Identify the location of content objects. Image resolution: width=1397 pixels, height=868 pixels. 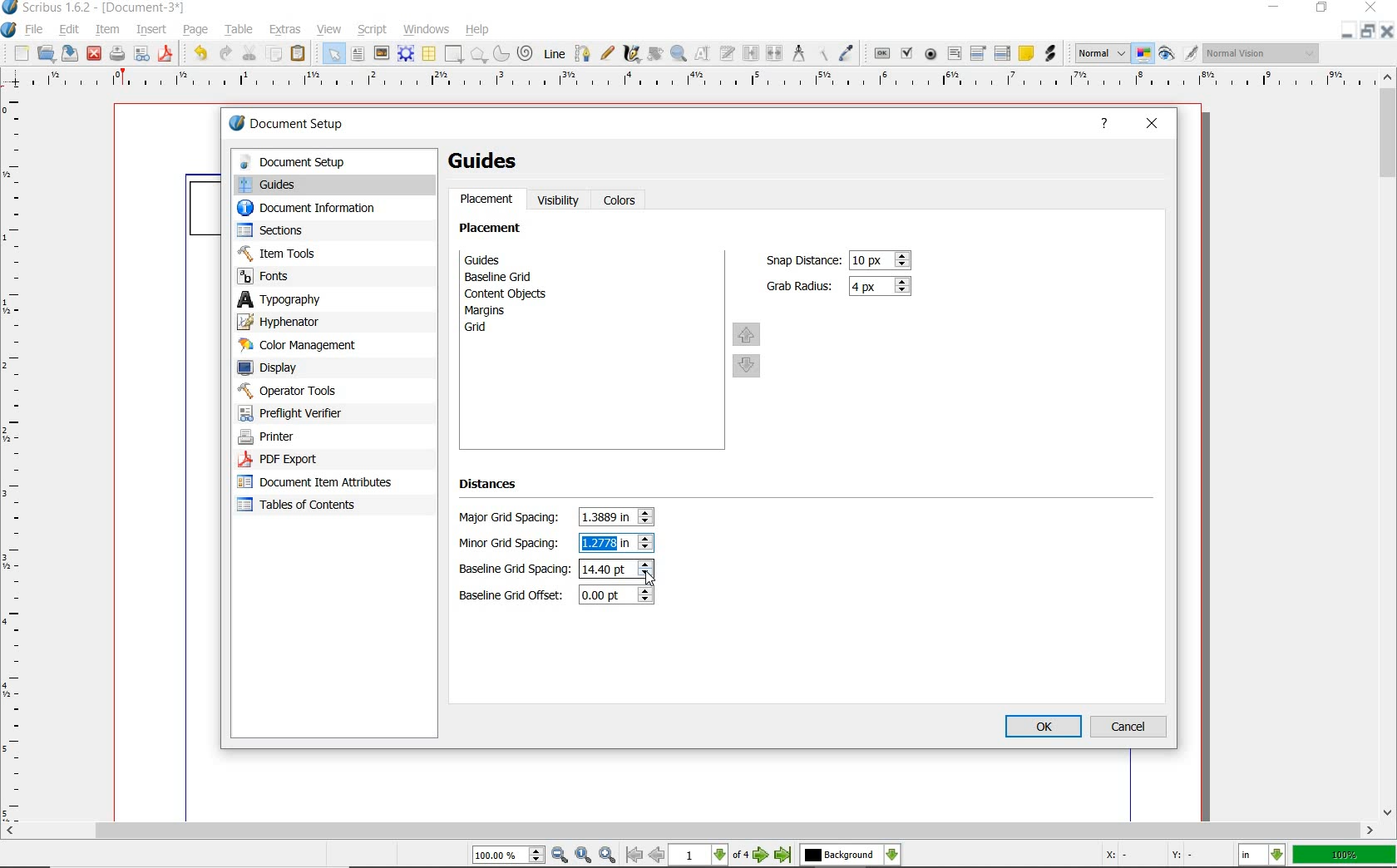
(515, 293).